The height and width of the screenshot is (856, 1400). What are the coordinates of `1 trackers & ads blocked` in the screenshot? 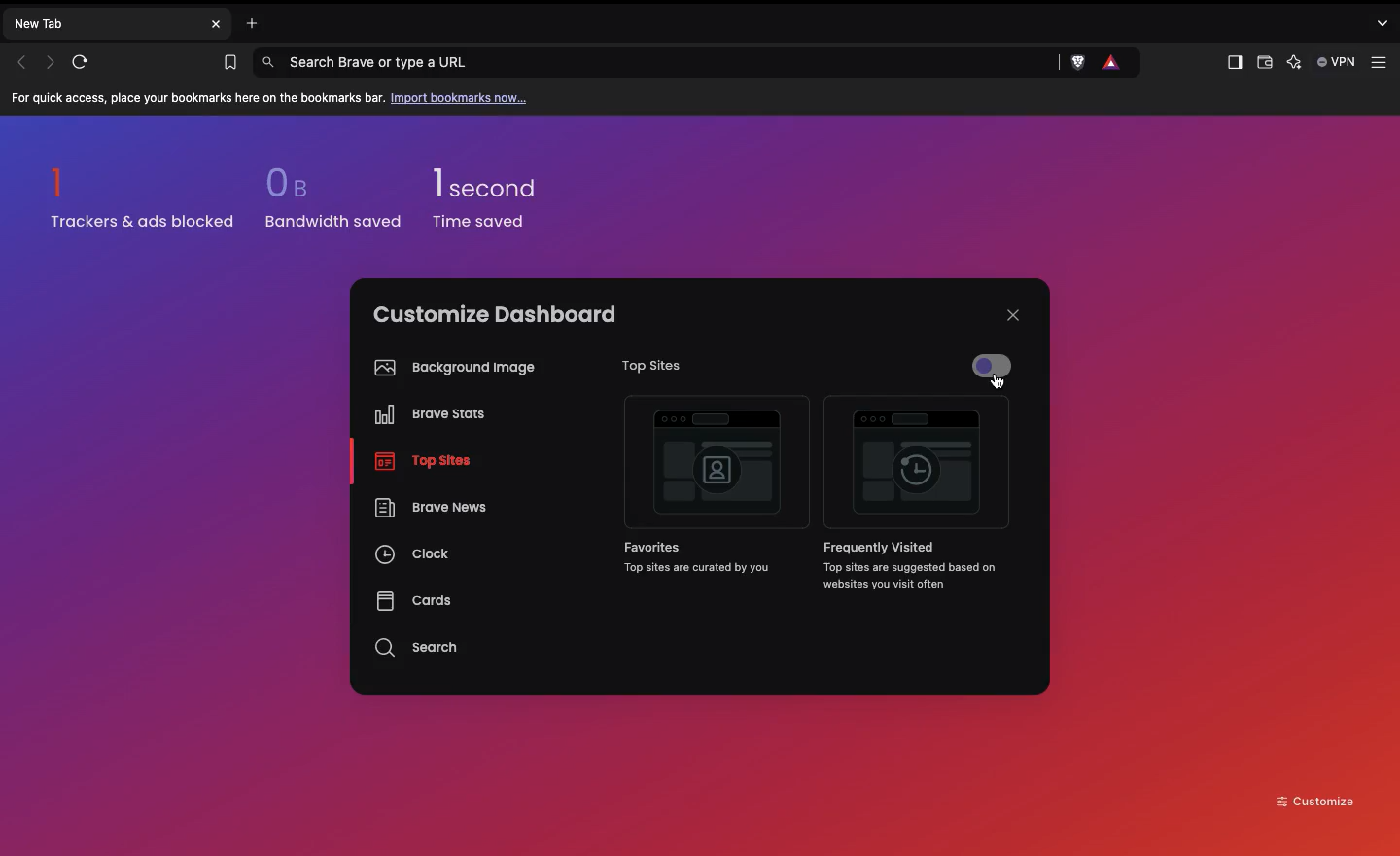 It's located at (143, 197).